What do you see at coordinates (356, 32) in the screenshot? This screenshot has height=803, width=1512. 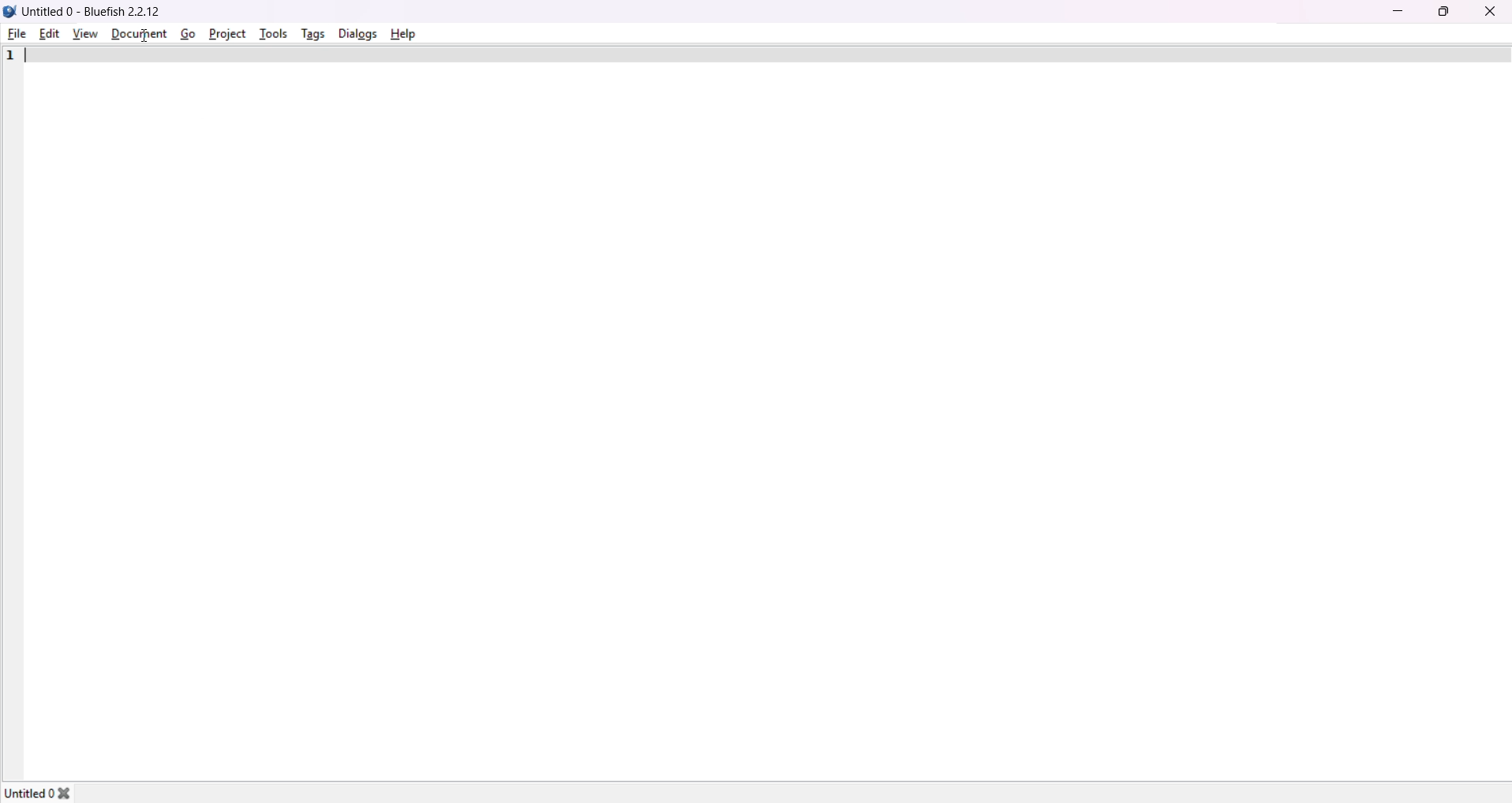 I see `dialog` at bounding box center [356, 32].